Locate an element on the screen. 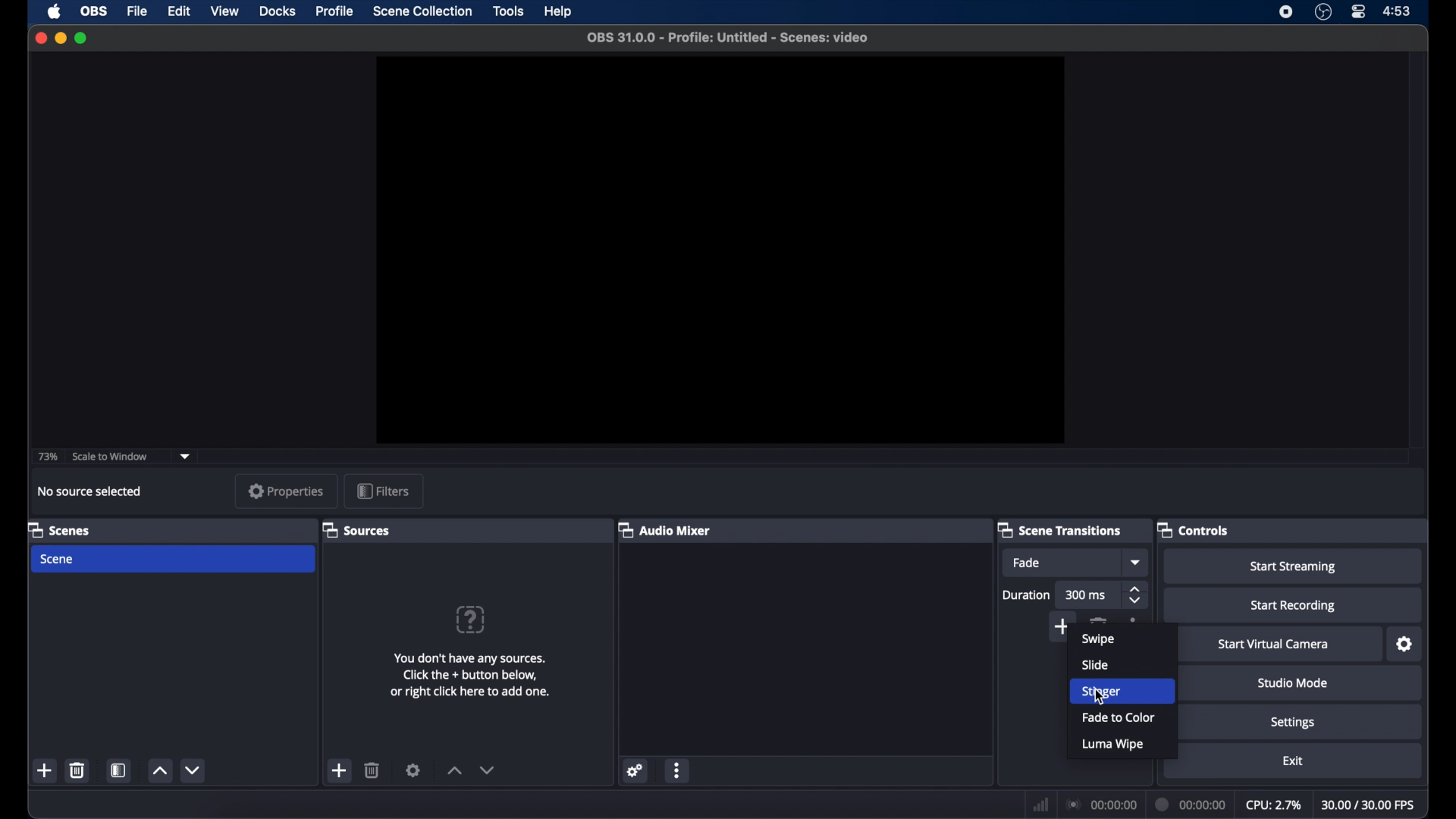 The width and height of the screenshot is (1456, 819). preview is located at coordinates (722, 250).